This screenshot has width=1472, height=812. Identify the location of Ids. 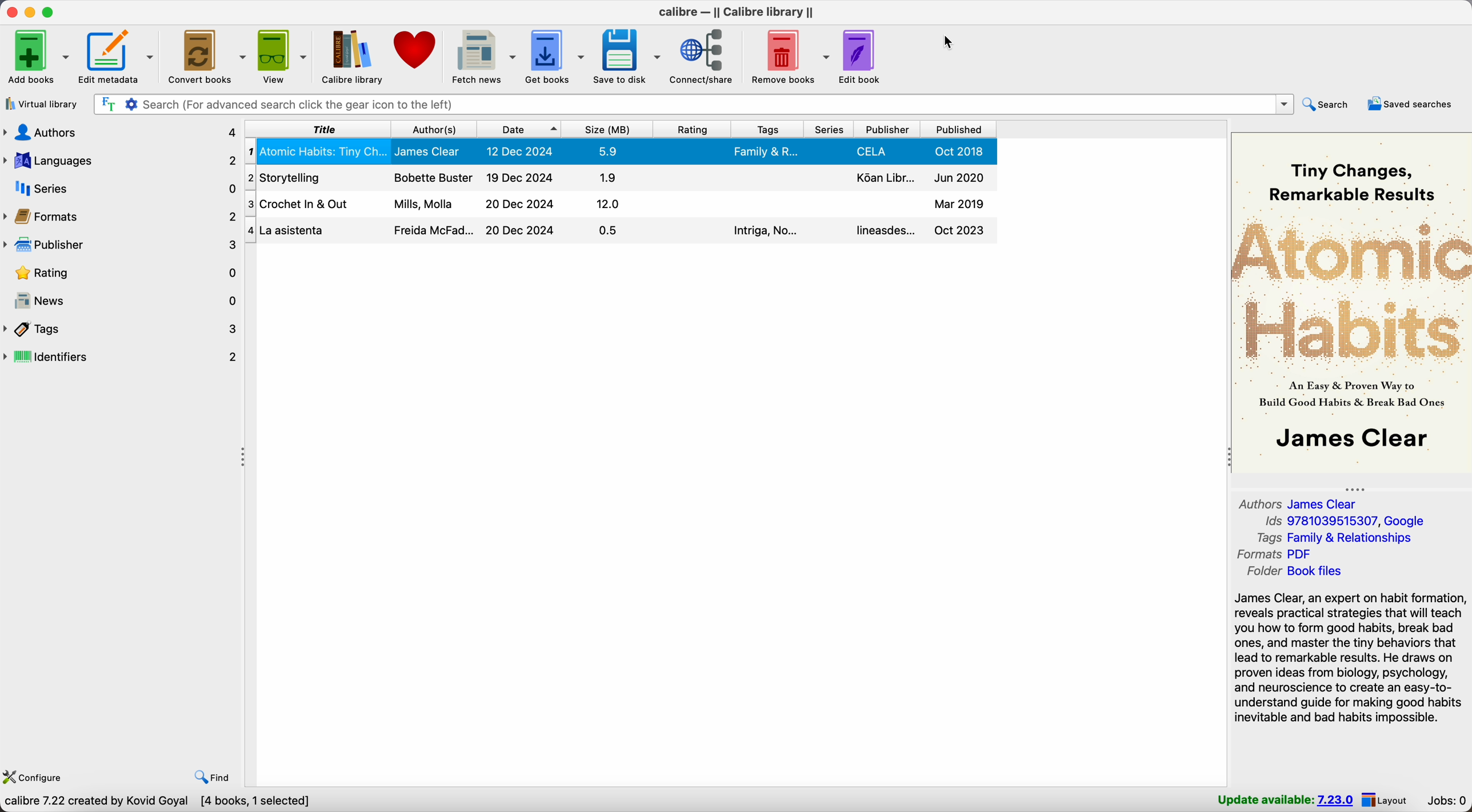
(1342, 522).